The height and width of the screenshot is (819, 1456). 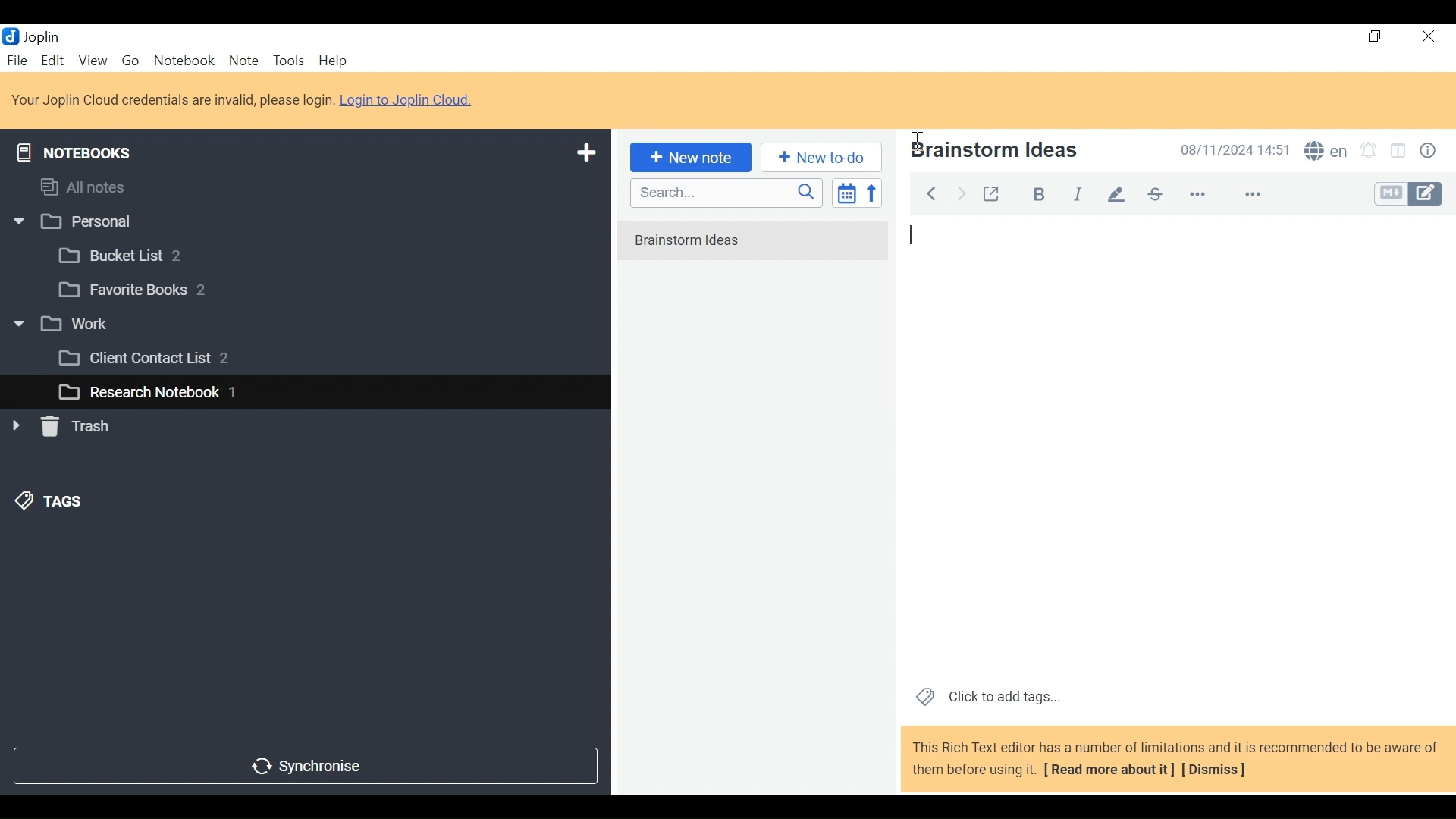 What do you see at coordinates (1116, 193) in the screenshot?
I see `pen` at bounding box center [1116, 193].